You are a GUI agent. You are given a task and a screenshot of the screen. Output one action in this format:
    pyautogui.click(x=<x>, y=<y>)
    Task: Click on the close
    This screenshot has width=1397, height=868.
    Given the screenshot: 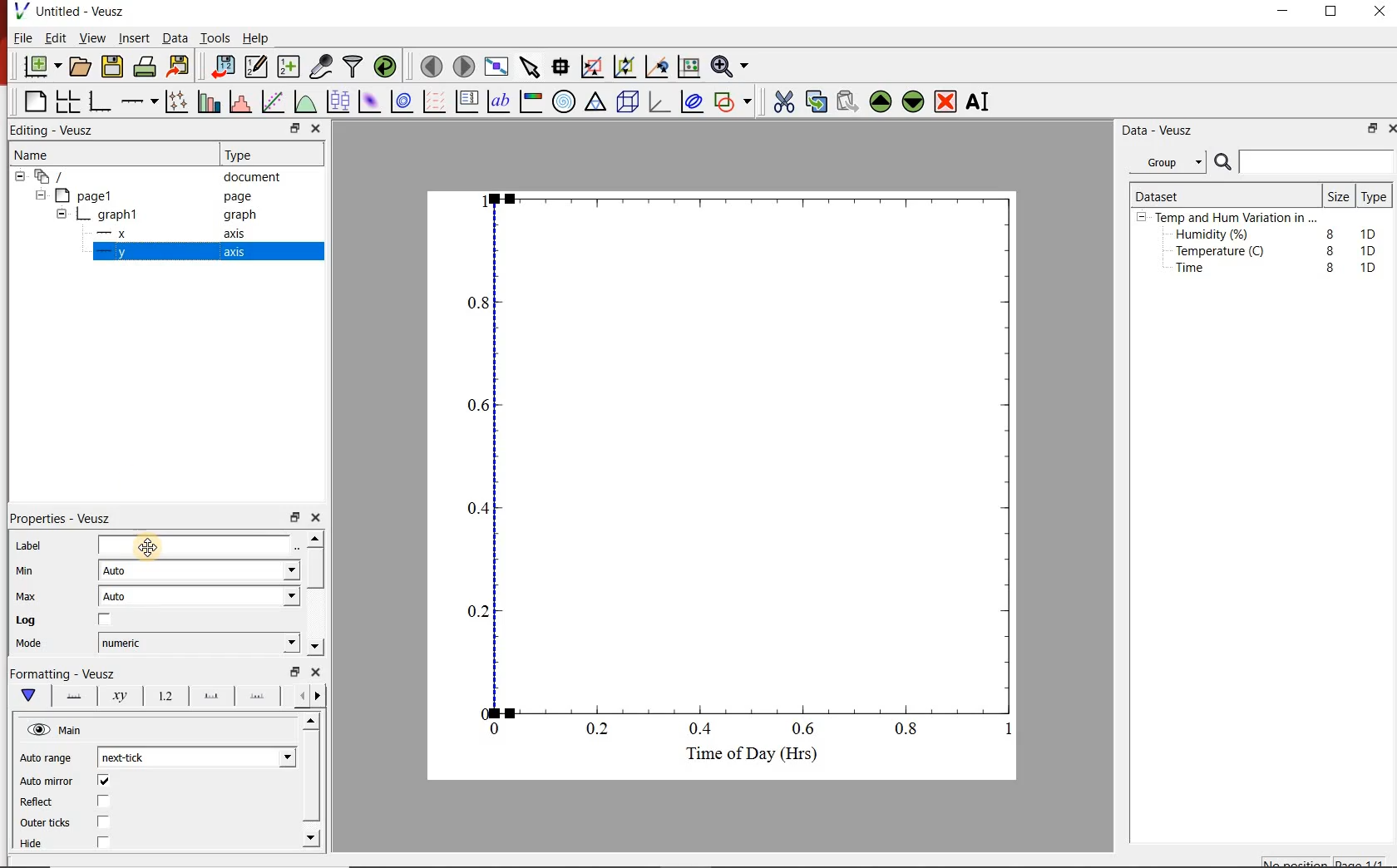 What is the action you would take?
    pyautogui.click(x=1380, y=12)
    